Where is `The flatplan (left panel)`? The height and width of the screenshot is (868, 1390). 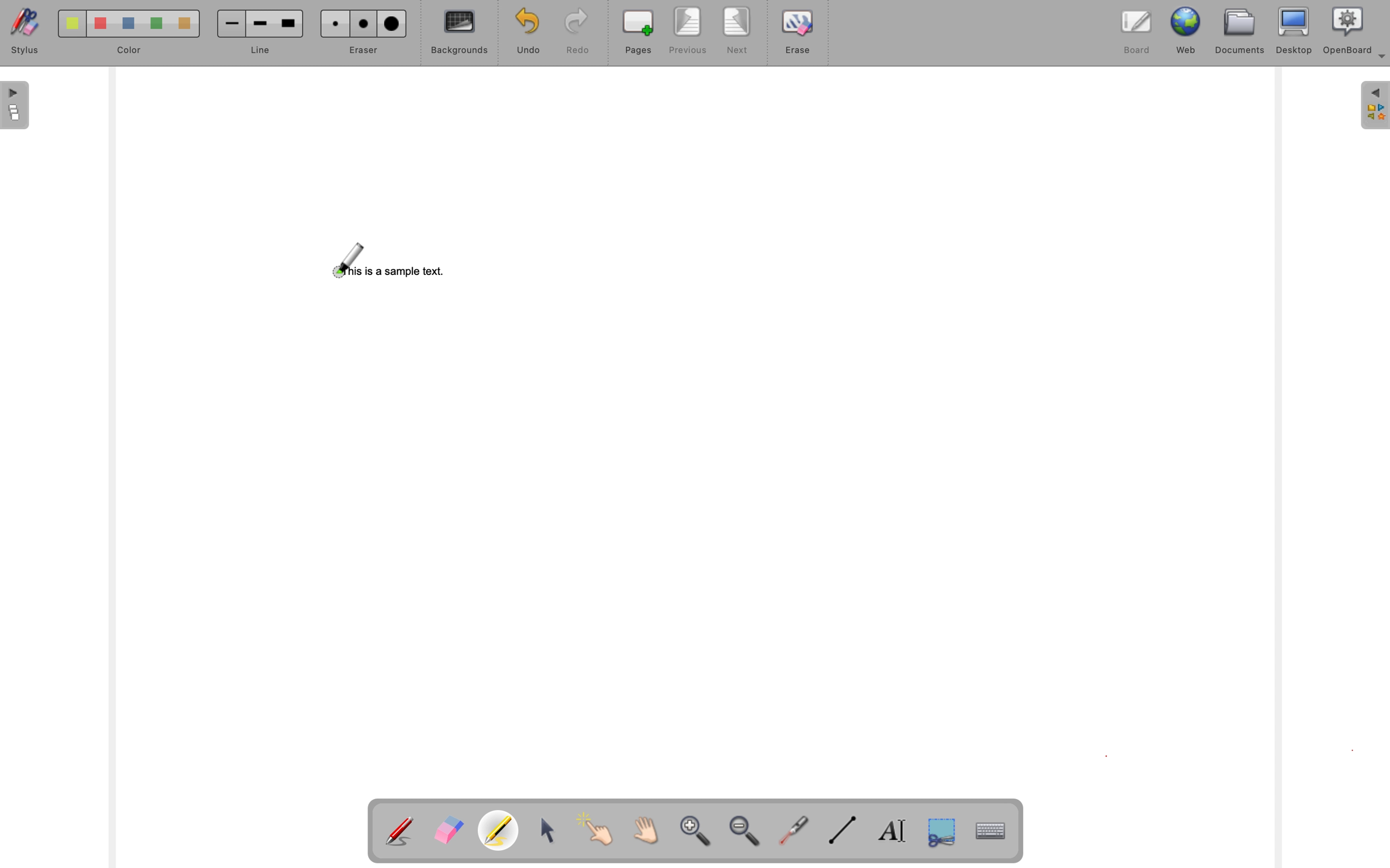
The flatplan (left panel) is located at coordinates (16, 106).